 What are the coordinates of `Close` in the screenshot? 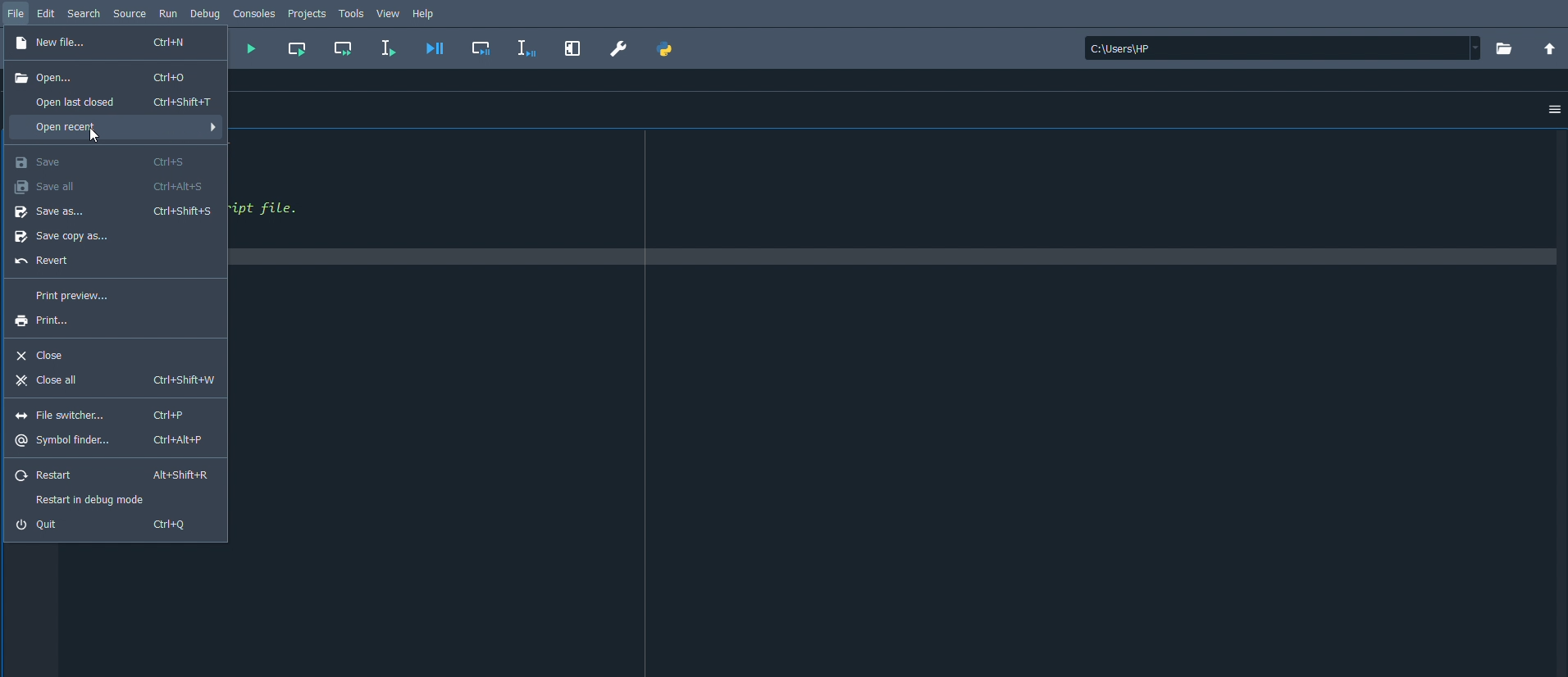 It's located at (43, 354).